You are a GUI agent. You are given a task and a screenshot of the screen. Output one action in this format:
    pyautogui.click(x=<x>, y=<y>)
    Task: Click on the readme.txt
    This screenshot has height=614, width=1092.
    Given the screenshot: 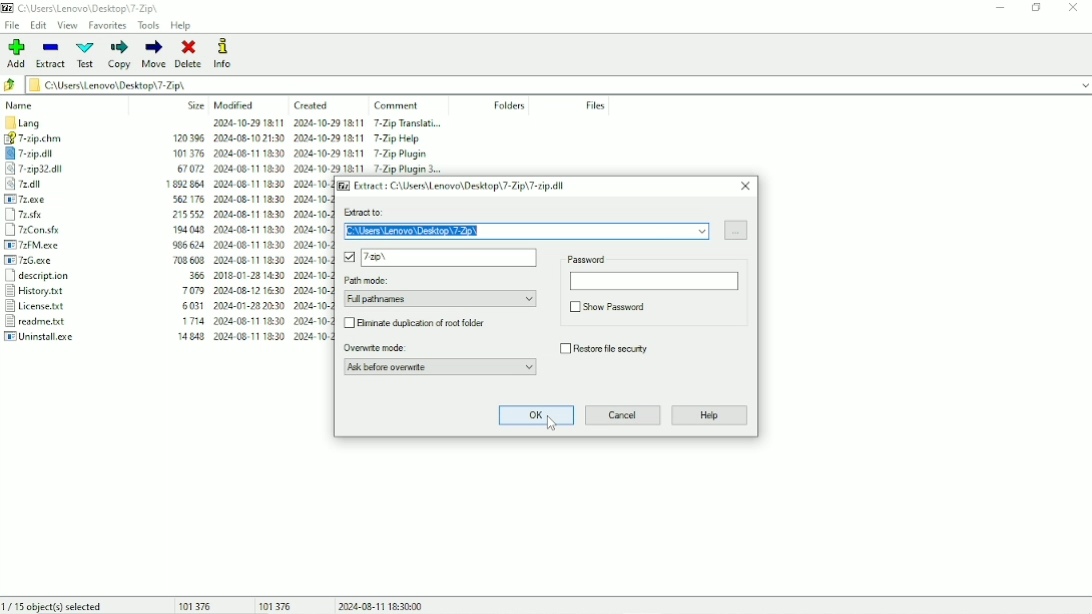 What is the action you would take?
    pyautogui.click(x=52, y=322)
    